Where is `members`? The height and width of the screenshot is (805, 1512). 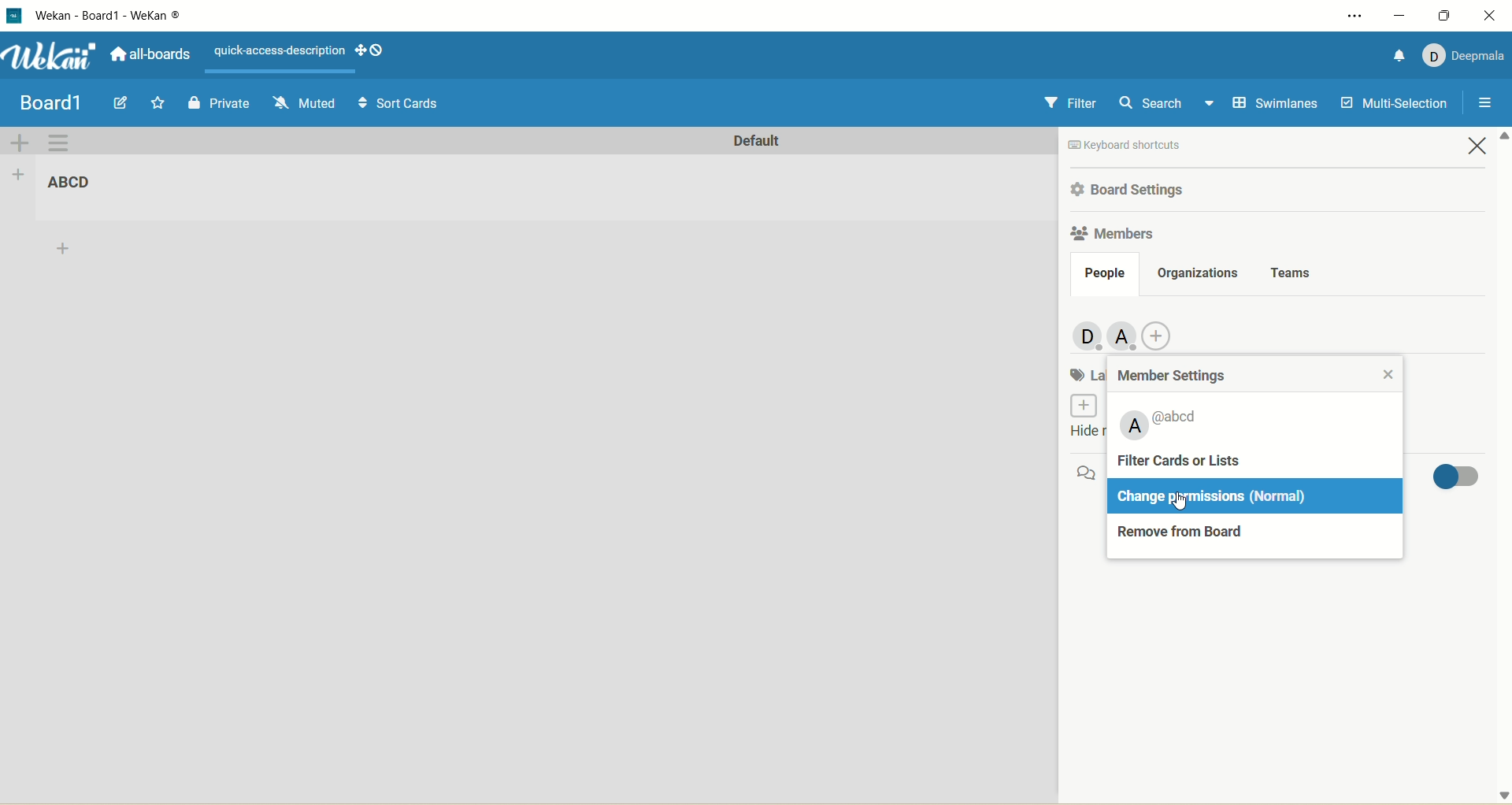
members is located at coordinates (1112, 236).